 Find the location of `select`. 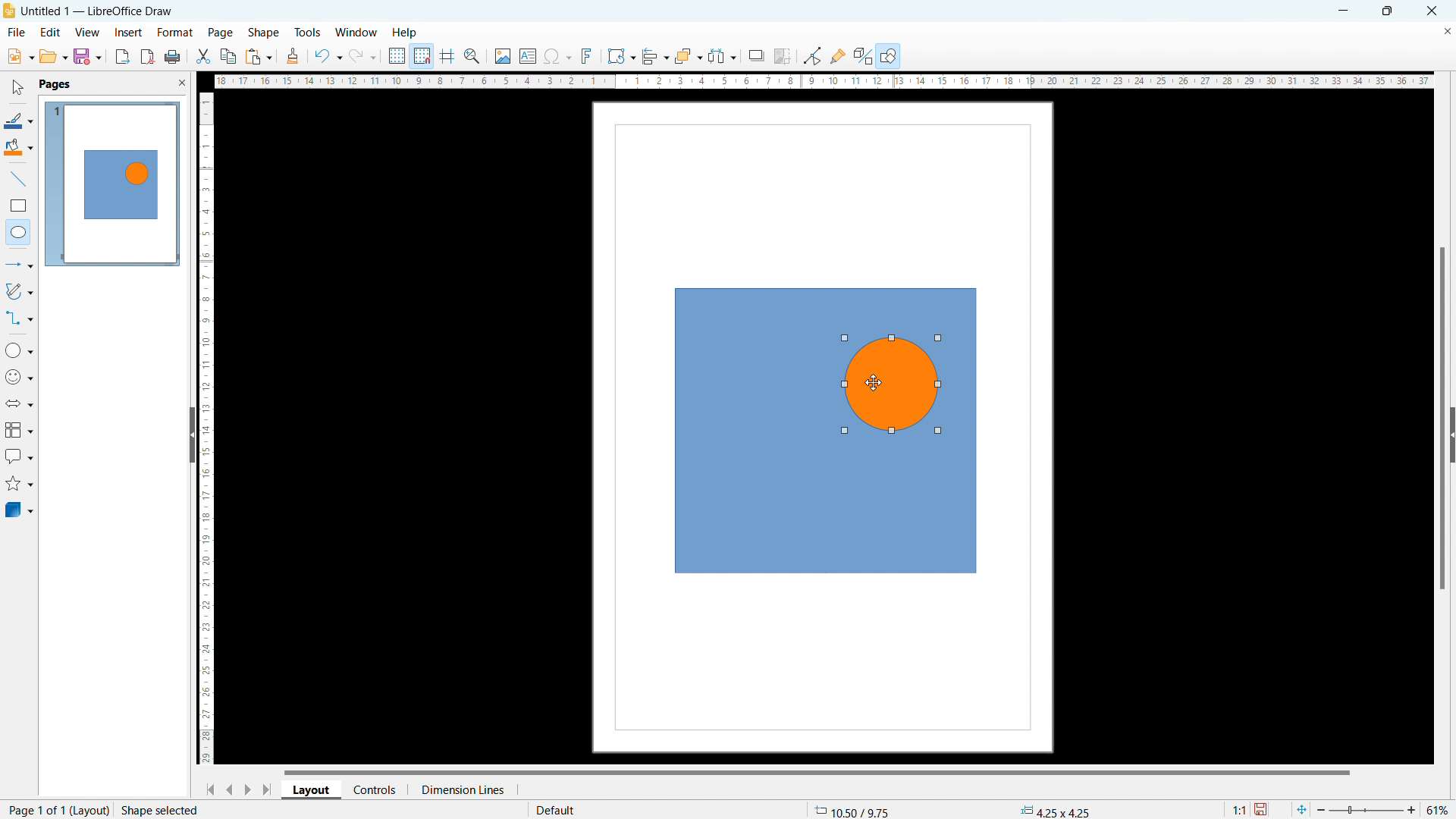

select is located at coordinates (16, 88).